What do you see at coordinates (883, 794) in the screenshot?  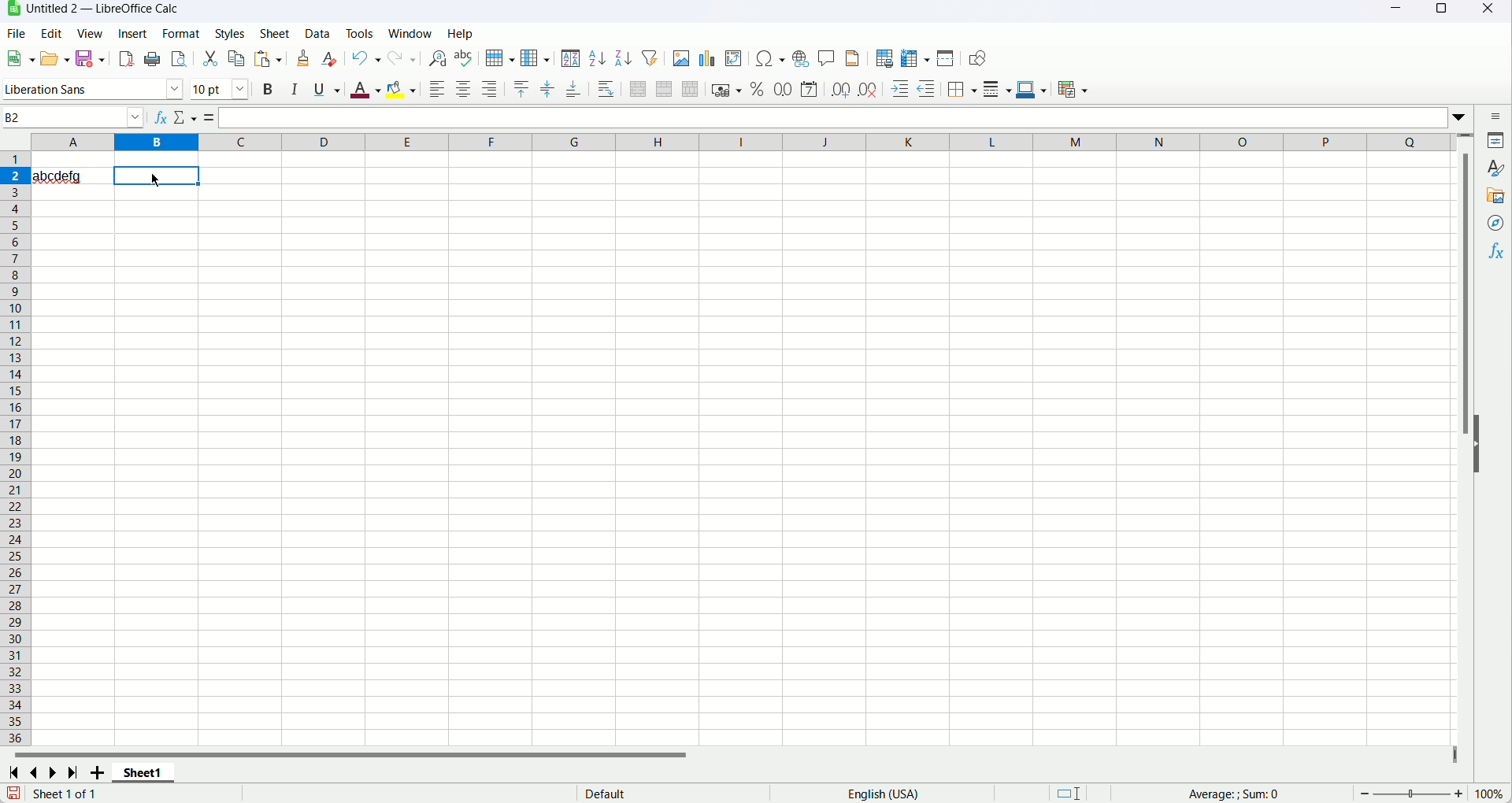 I see `language` at bounding box center [883, 794].